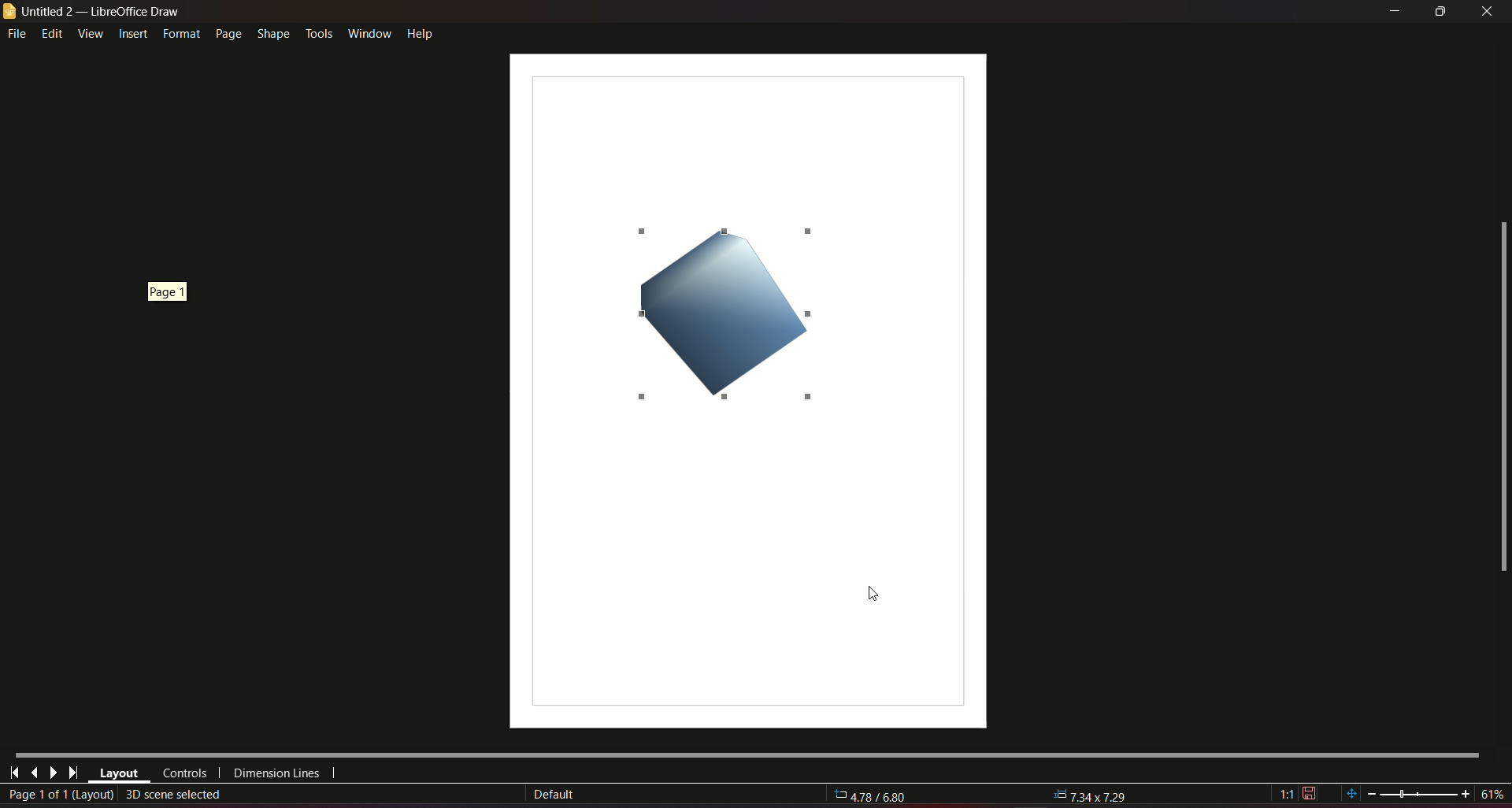 This screenshot has width=1512, height=808. I want to click on window, so click(368, 31).